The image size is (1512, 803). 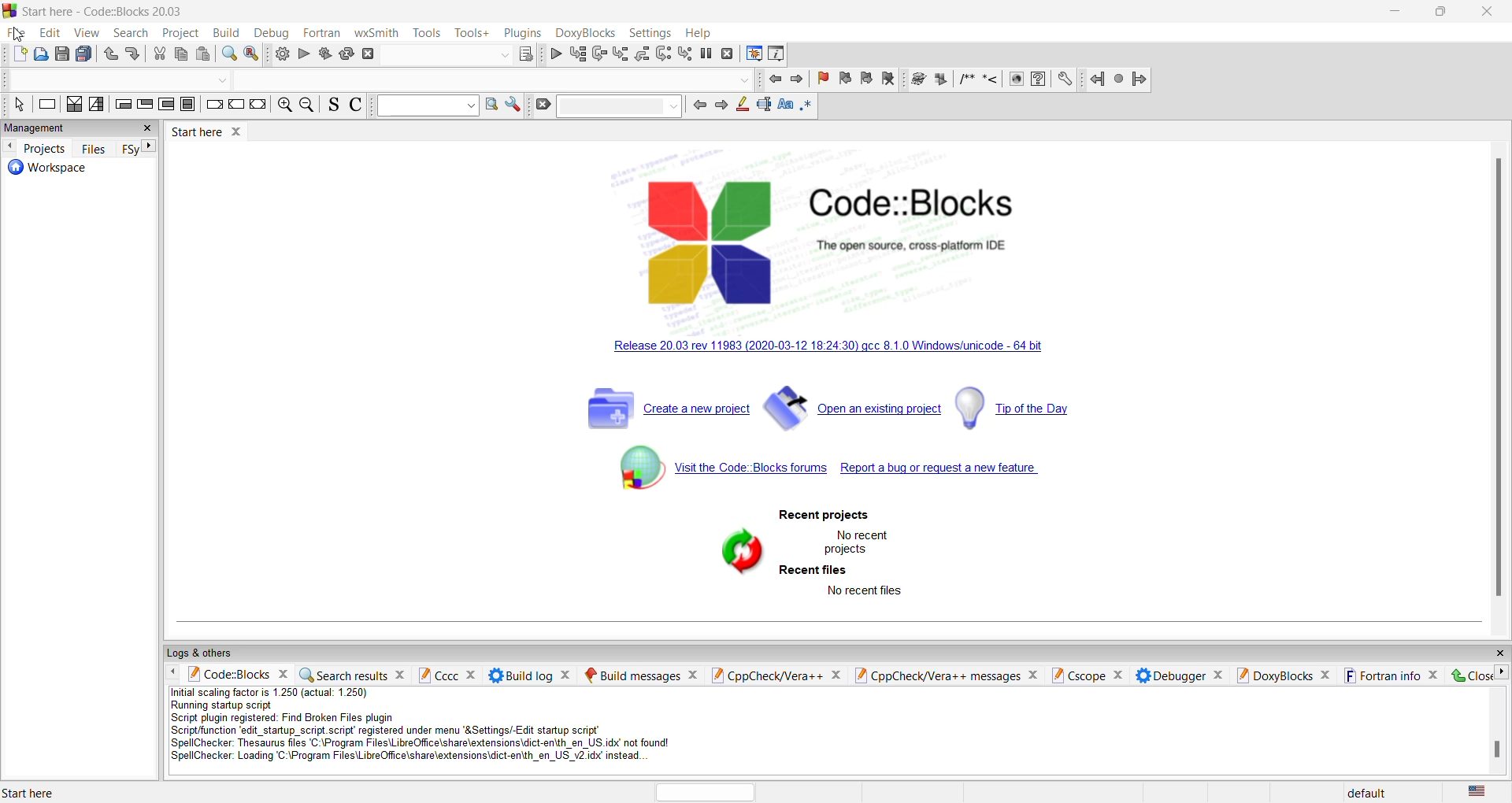 What do you see at coordinates (1038, 80) in the screenshot?
I see `faq` at bounding box center [1038, 80].